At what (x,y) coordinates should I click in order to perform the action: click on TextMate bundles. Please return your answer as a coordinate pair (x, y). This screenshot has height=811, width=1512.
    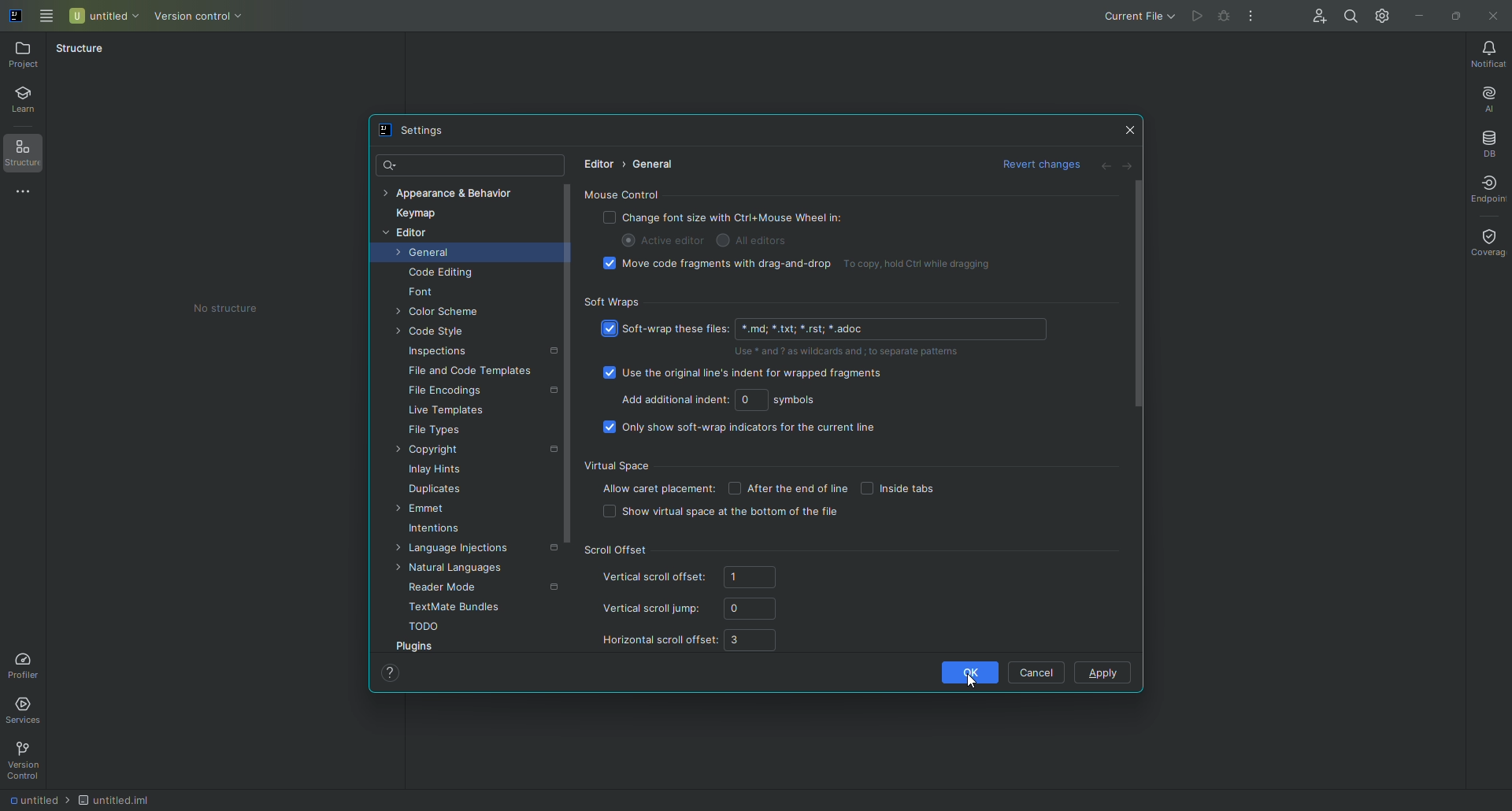
    Looking at the image, I should click on (458, 607).